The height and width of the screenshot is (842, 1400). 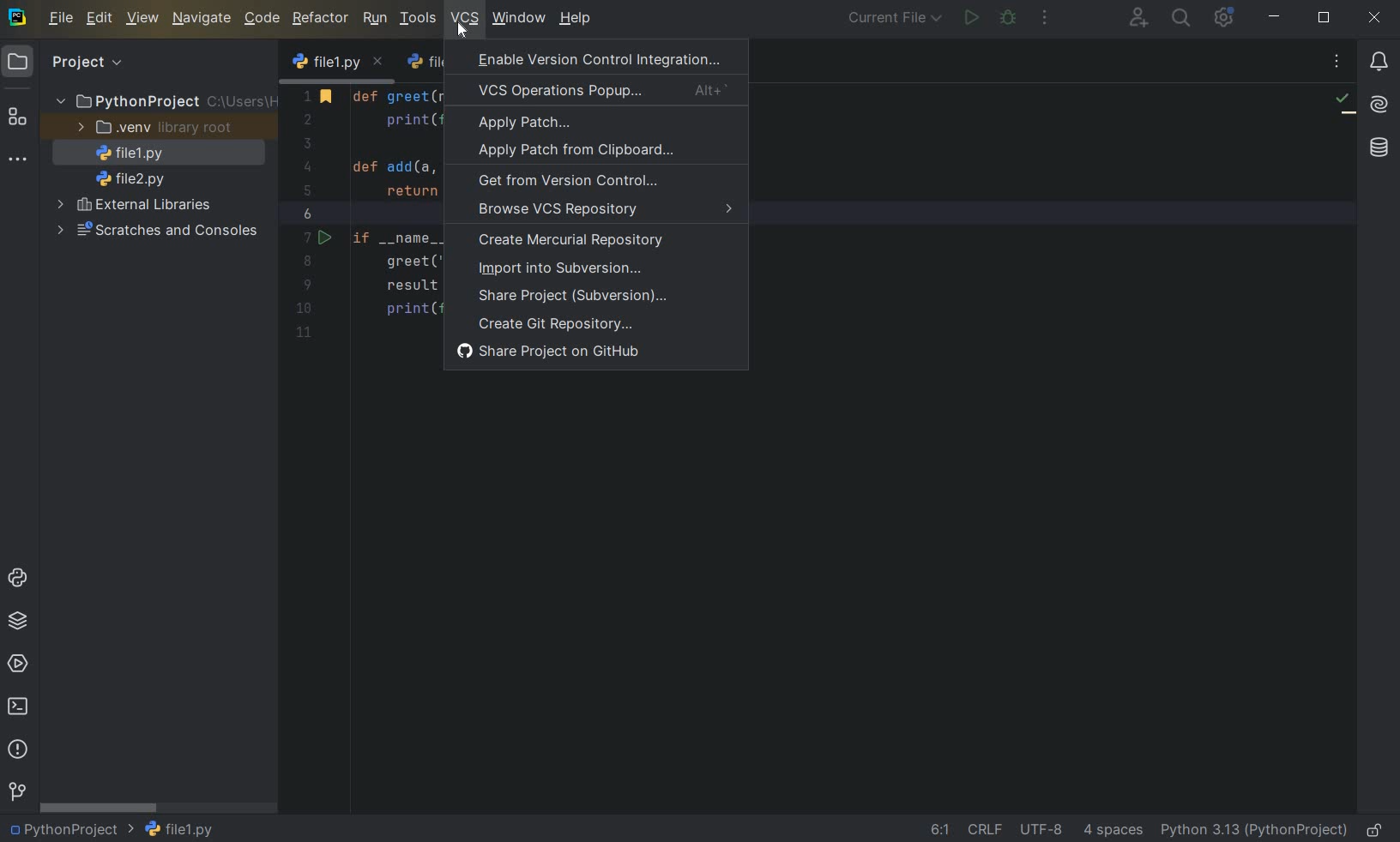 I want to click on no problems, so click(x=1344, y=103).